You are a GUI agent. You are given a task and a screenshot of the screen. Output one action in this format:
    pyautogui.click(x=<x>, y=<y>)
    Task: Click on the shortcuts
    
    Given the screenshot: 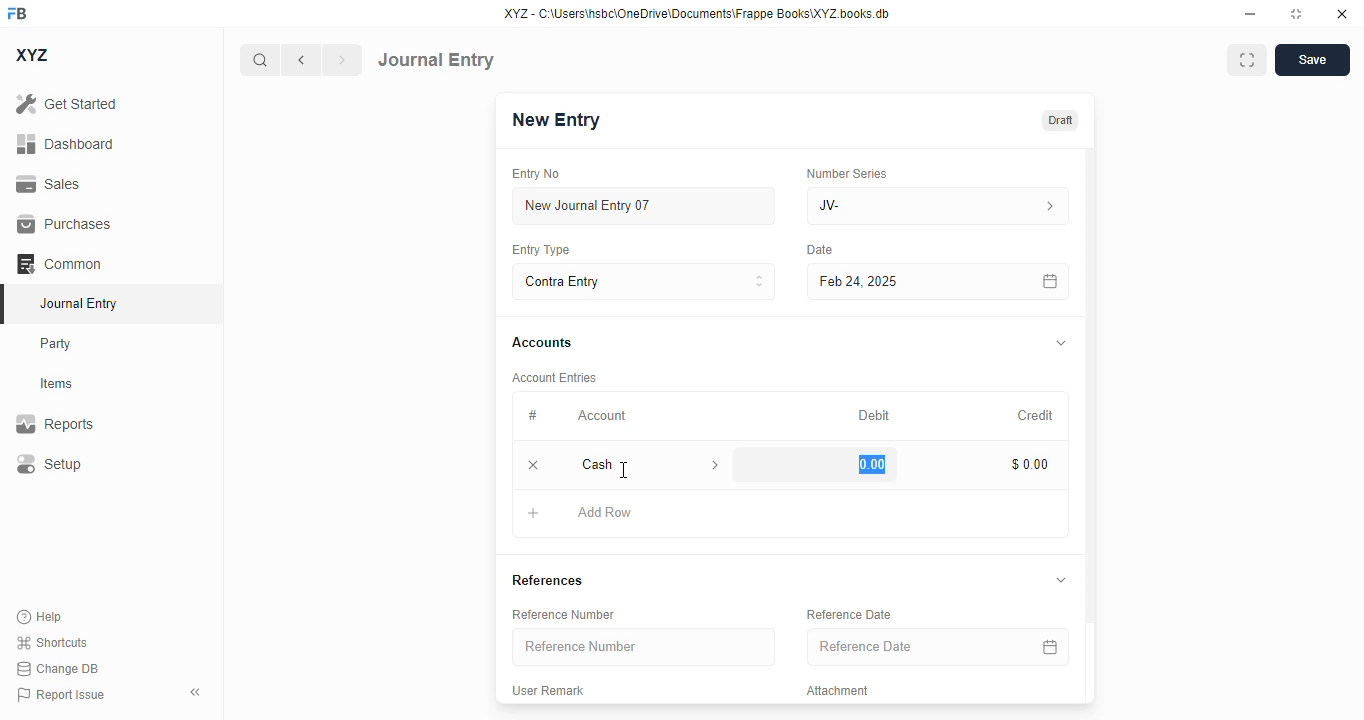 What is the action you would take?
    pyautogui.click(x=52, y=642)
    